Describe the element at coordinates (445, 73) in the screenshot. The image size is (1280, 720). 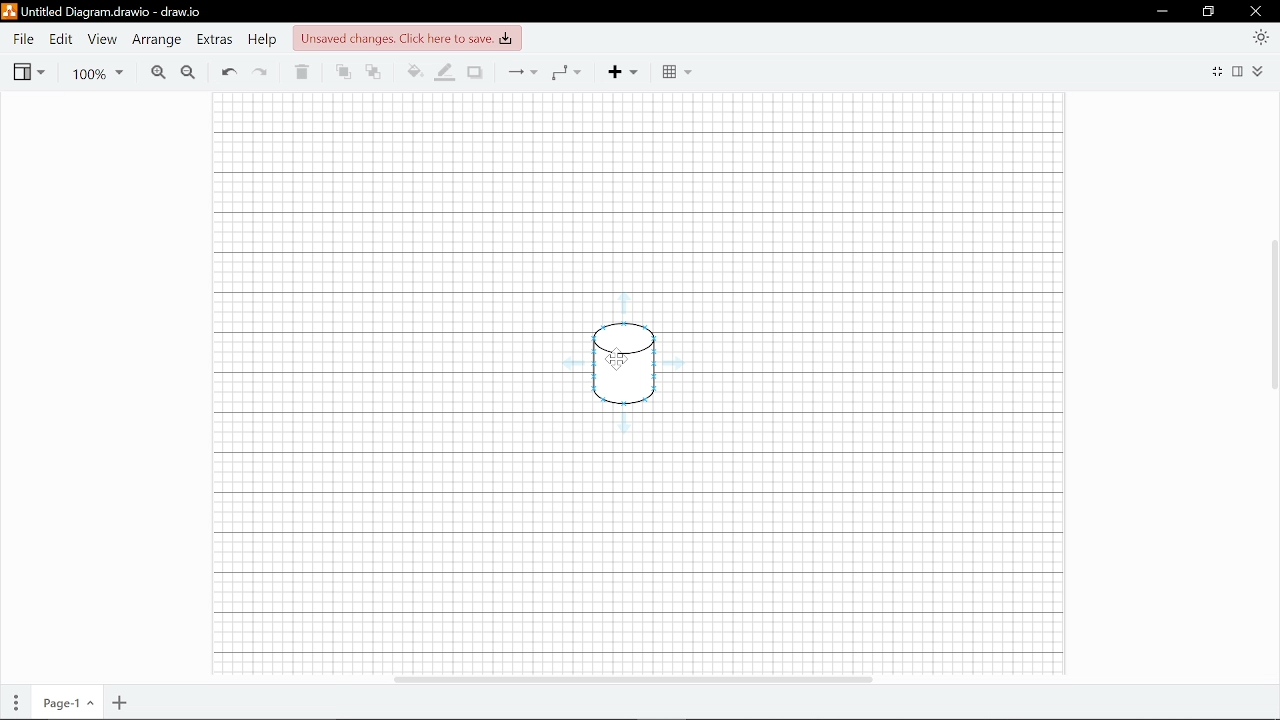
I see `Fill line` at that location.